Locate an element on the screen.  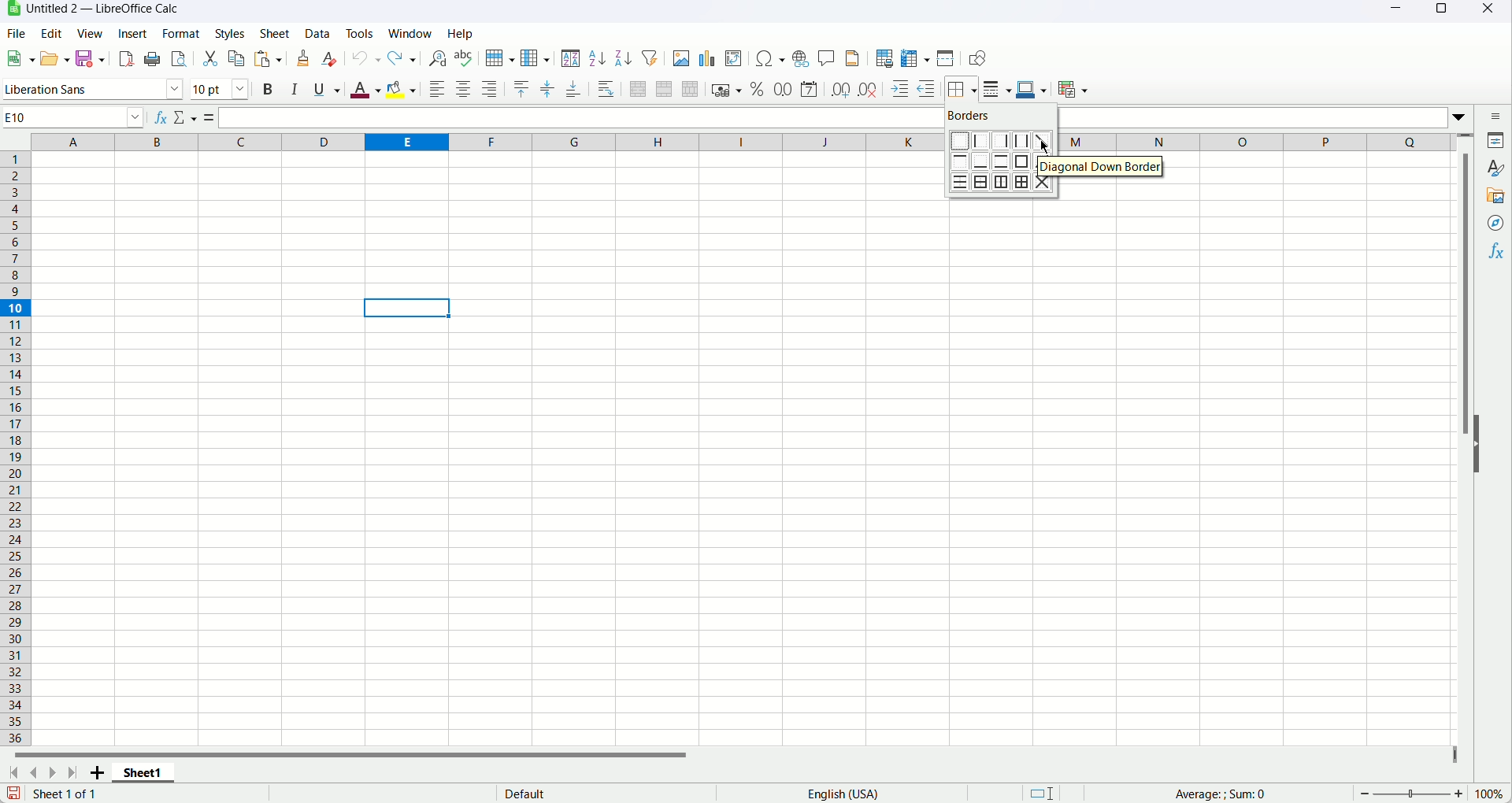
Sheet is located at coordinates (277, 34).